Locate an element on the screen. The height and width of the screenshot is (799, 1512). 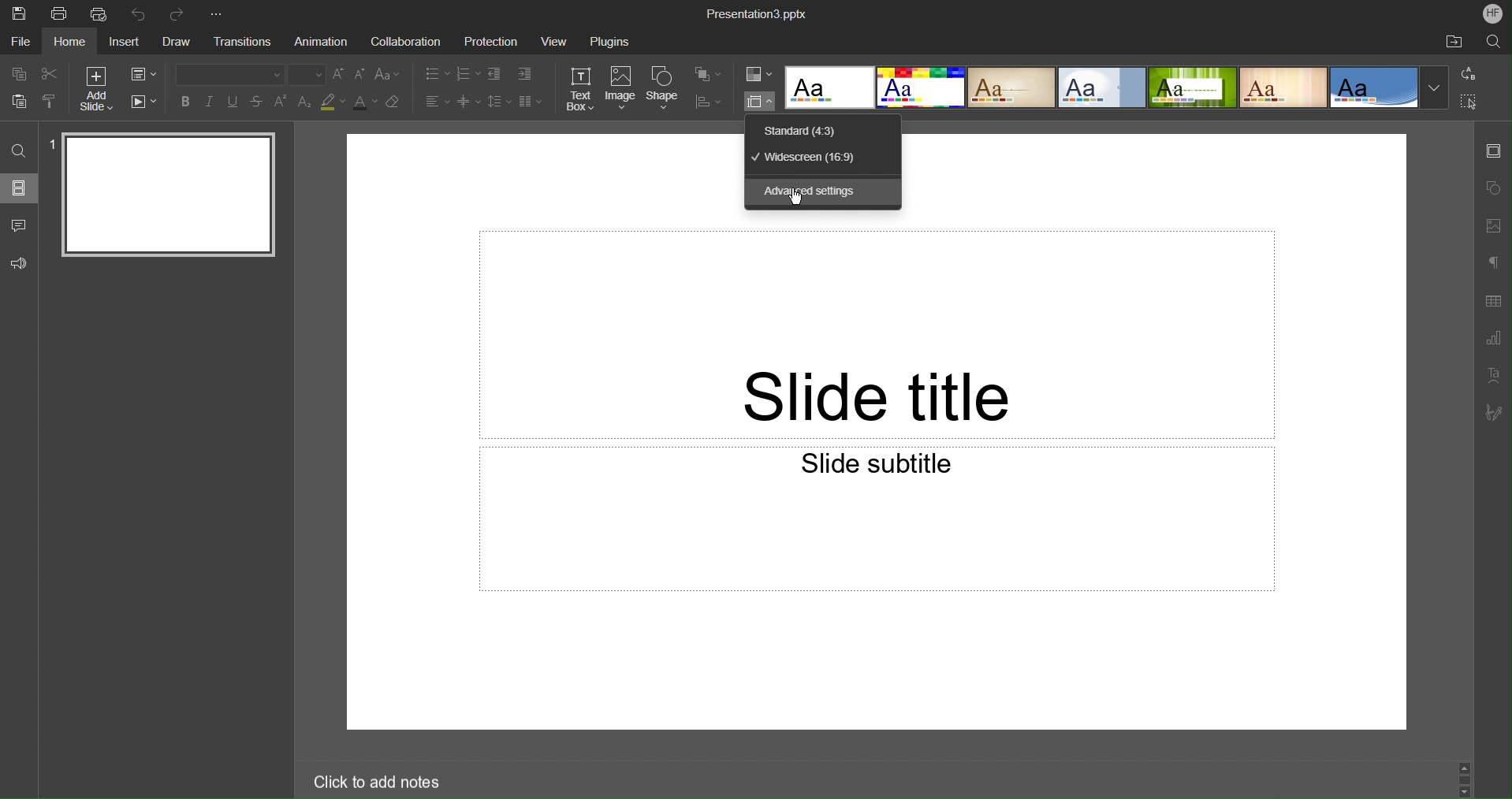
Search is located at coordinates (1492, 43).